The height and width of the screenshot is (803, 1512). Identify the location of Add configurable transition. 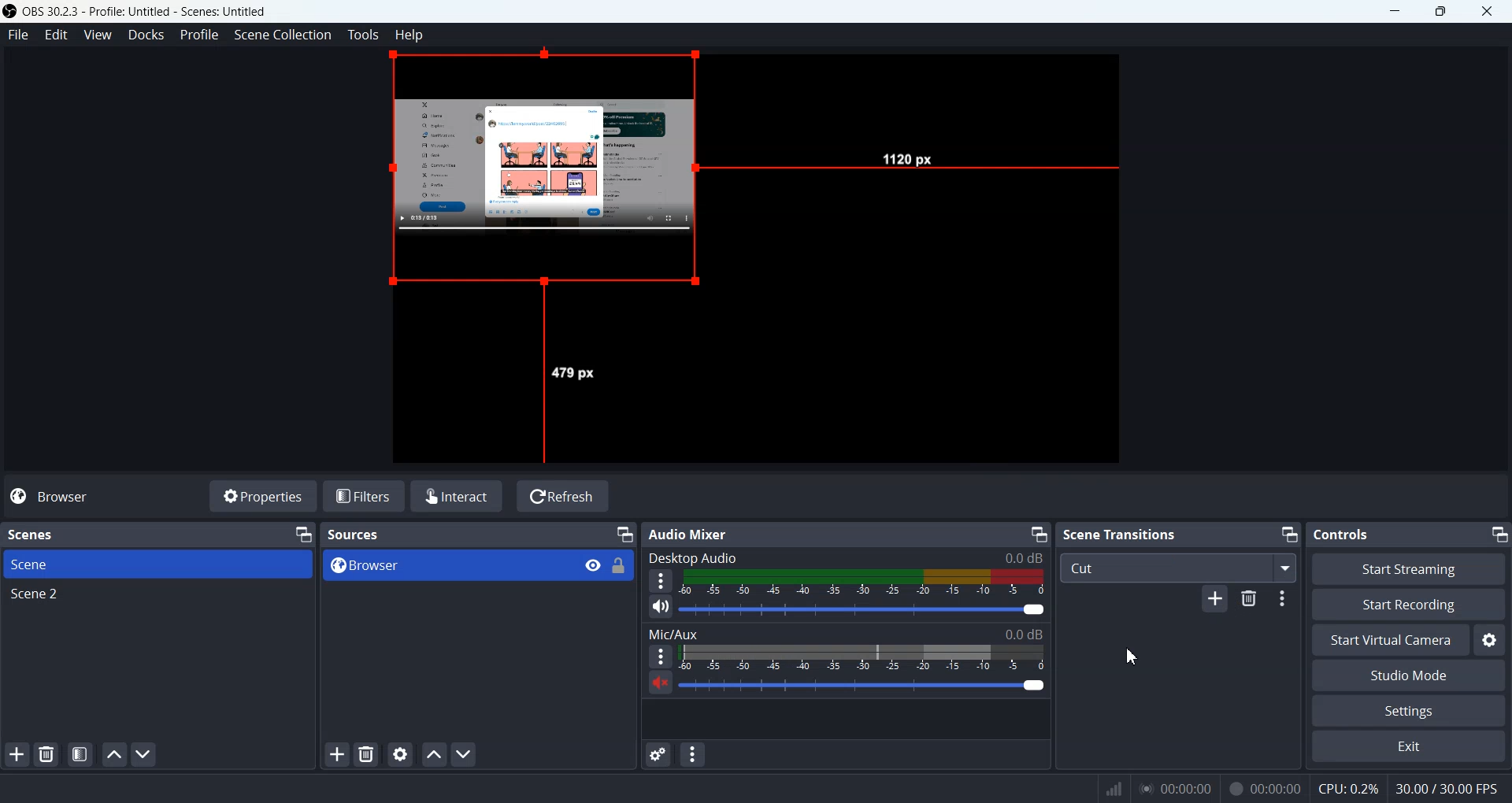
(1214, 601).